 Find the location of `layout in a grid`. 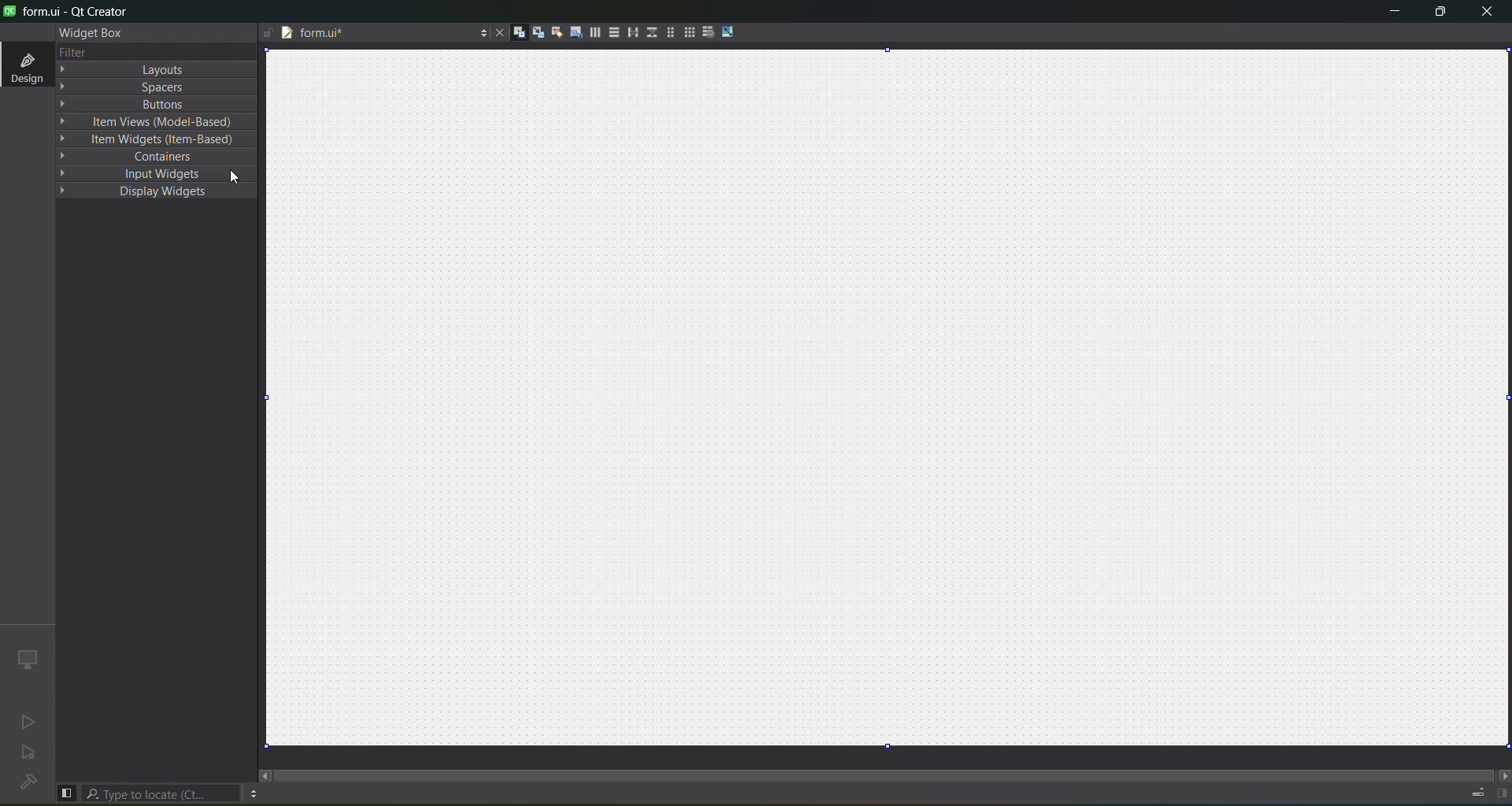

layout in a grid is located at coordinates (691, 31).